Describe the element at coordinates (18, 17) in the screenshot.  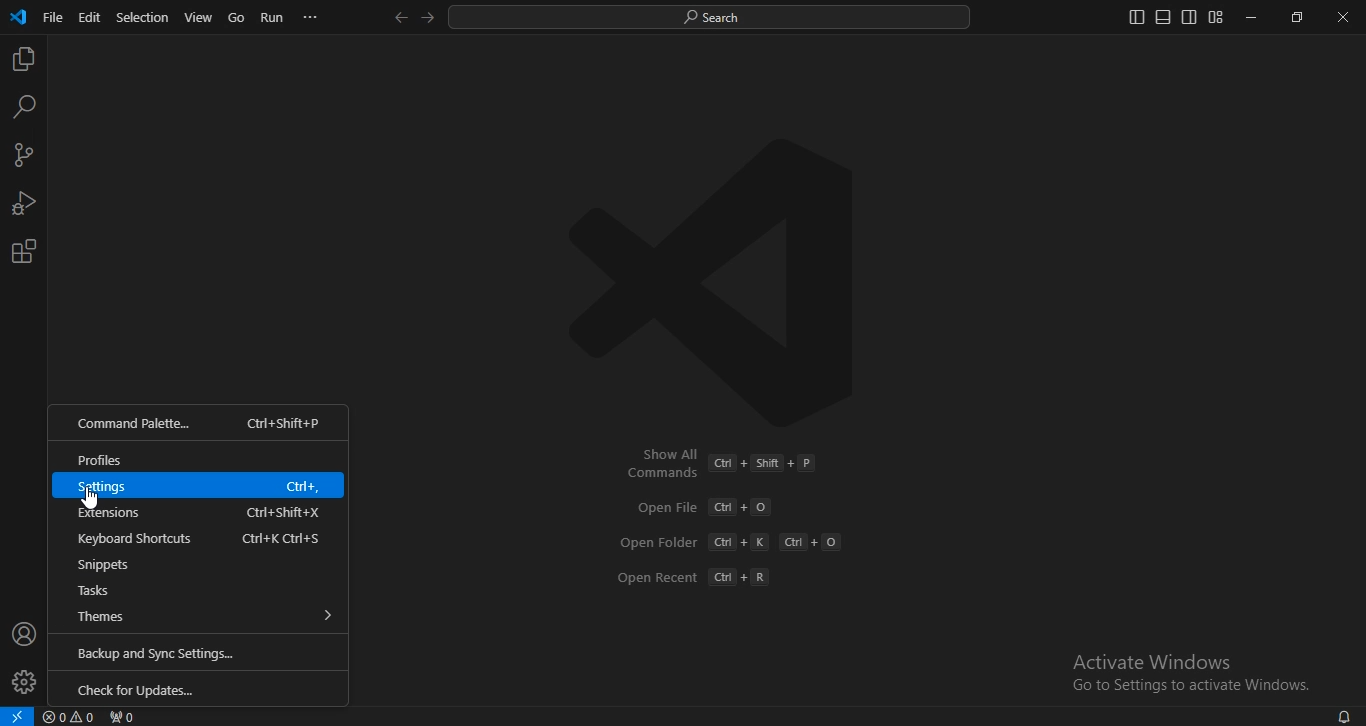
I see `VSCode` at that location.